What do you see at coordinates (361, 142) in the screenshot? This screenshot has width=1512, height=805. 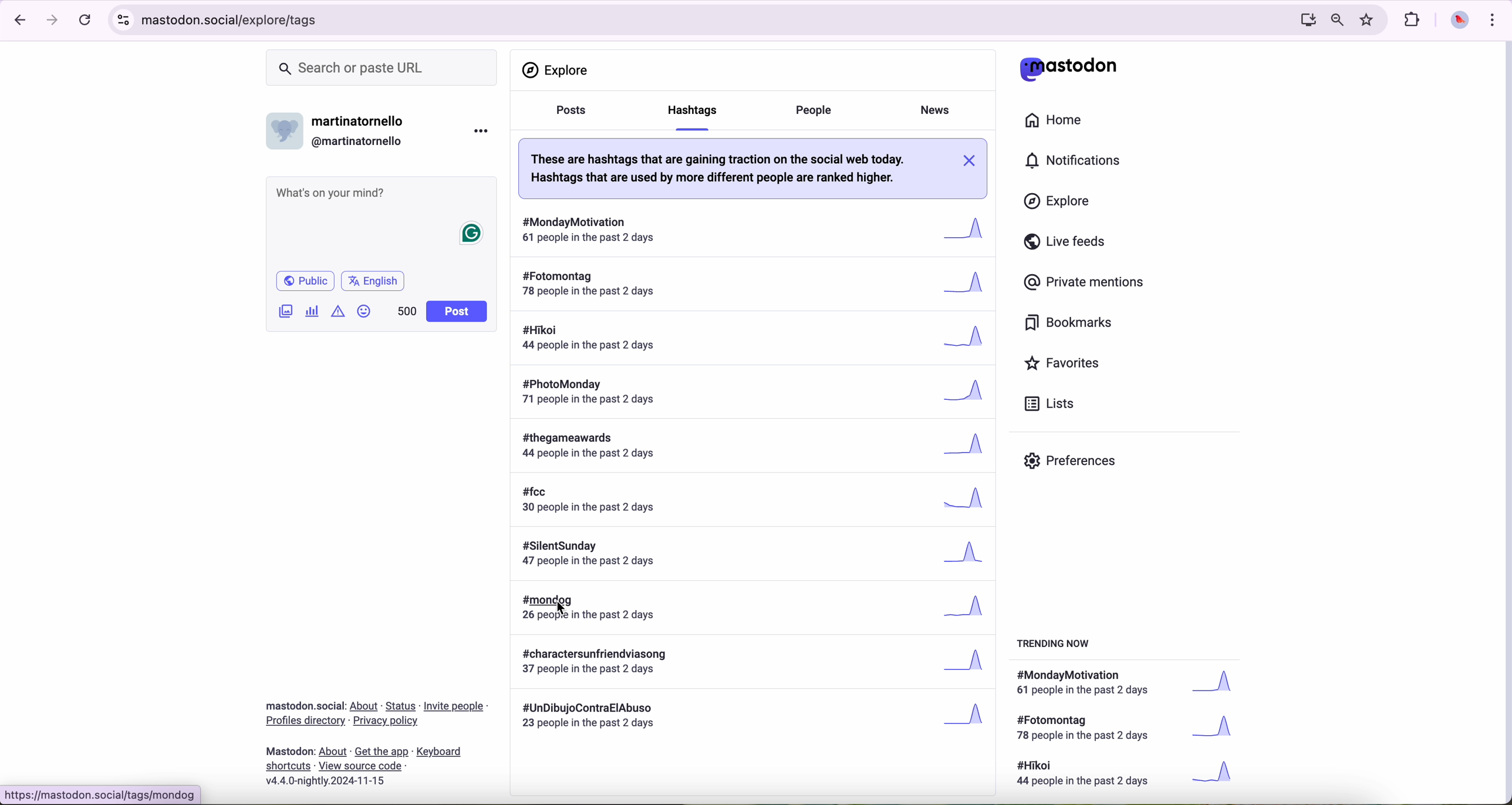 I see `user id` at bounding box center [361, 142].